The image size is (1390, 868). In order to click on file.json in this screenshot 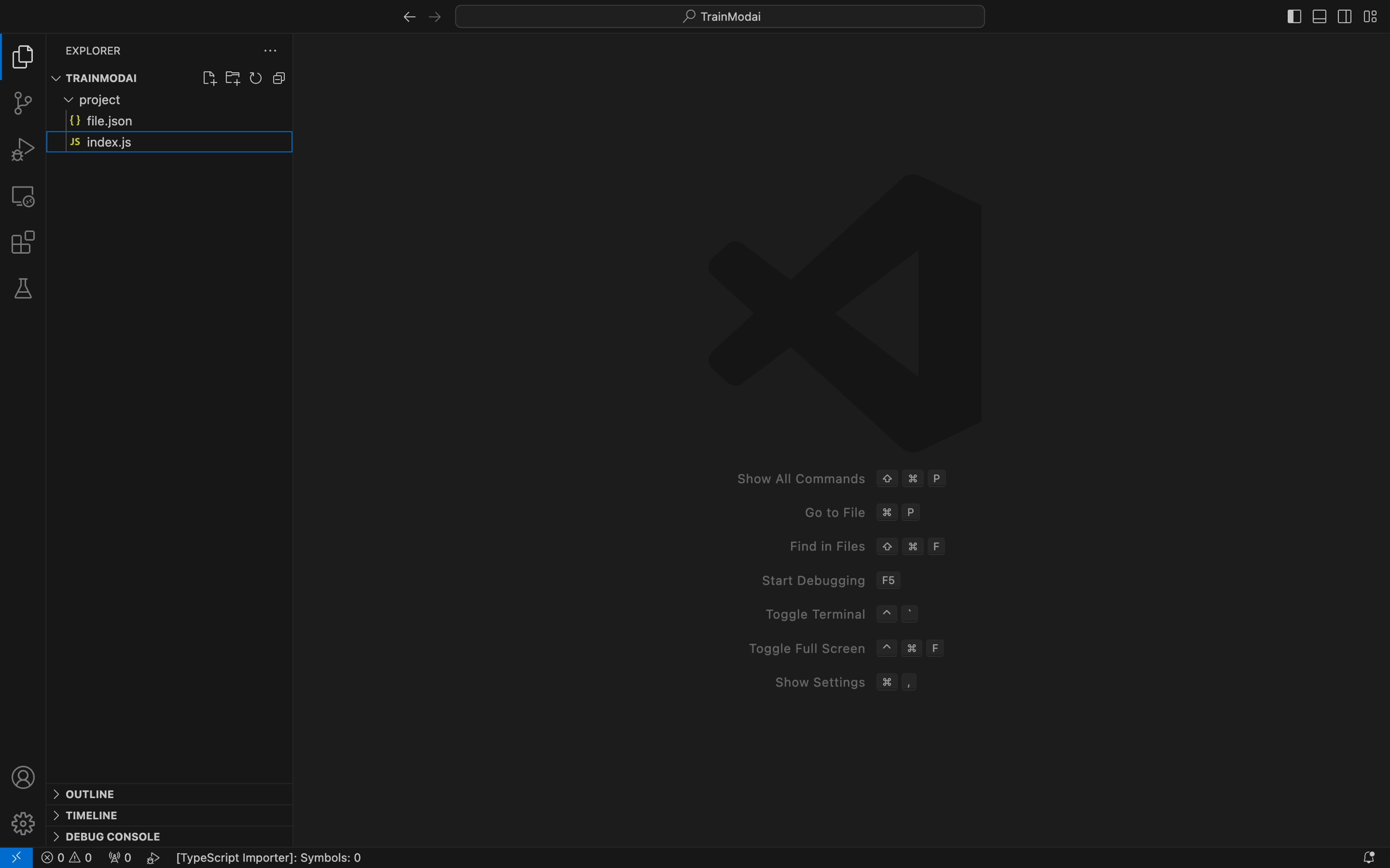, I will do `click(171, 122)`.